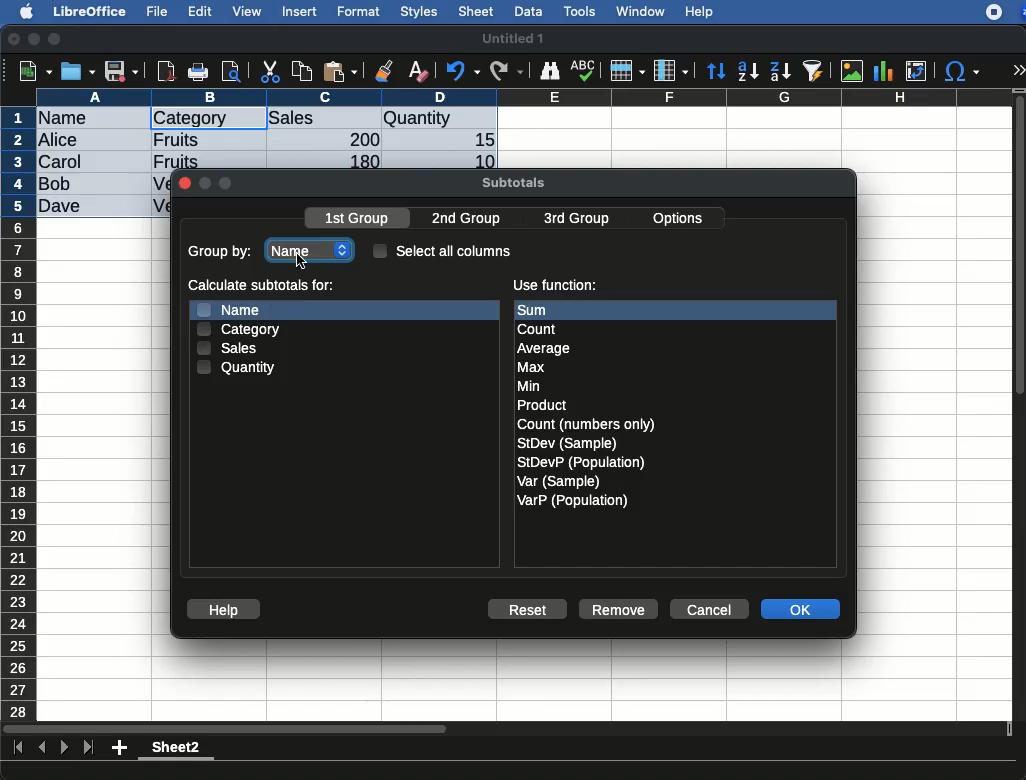  I want to click on Carol, so click(77, 163).